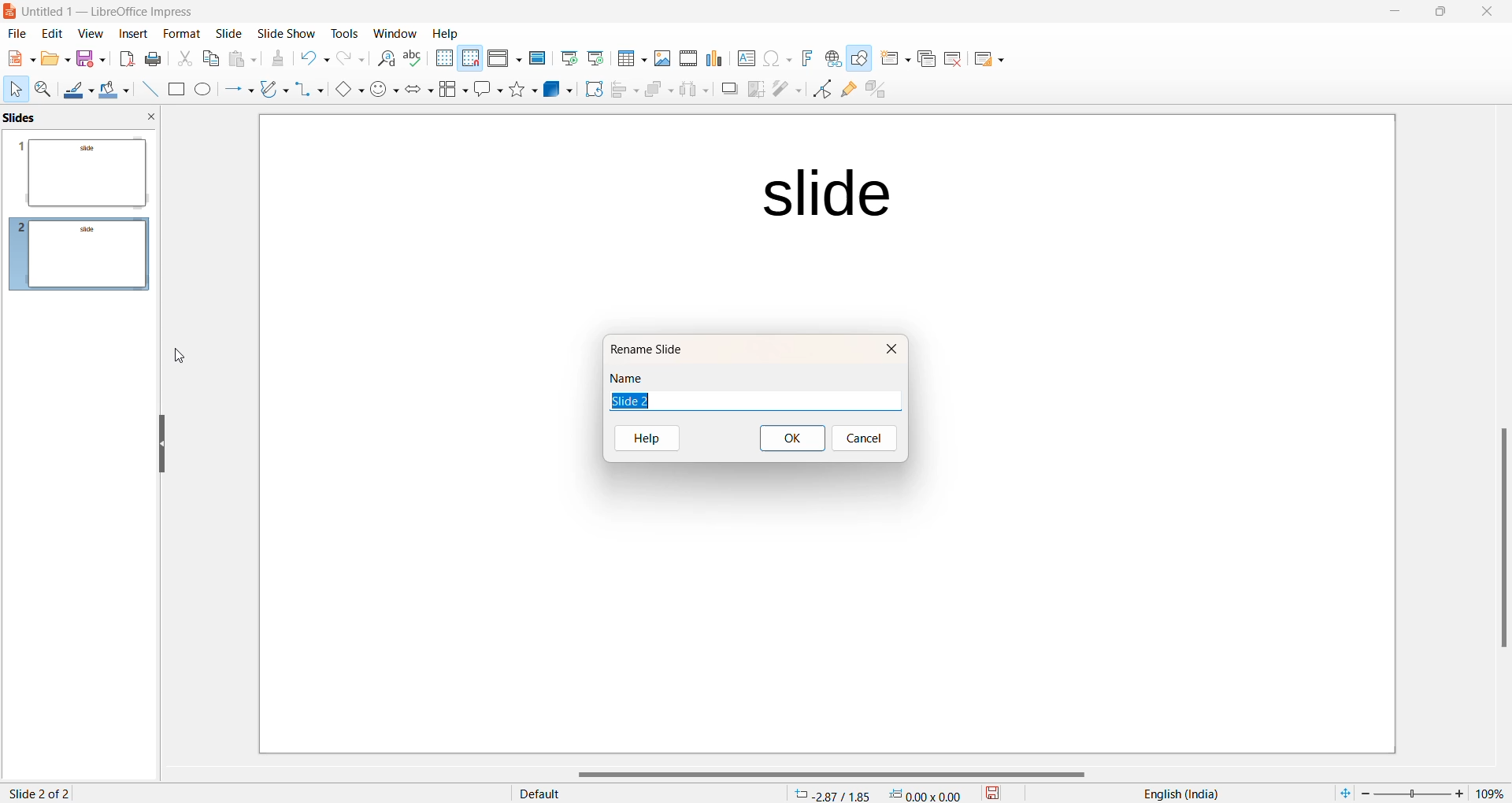 The image size is (1512, 803). What do you see at coordinates (50, 35) in the screenshot?
I see `edit` at bounding box center [50, 35].